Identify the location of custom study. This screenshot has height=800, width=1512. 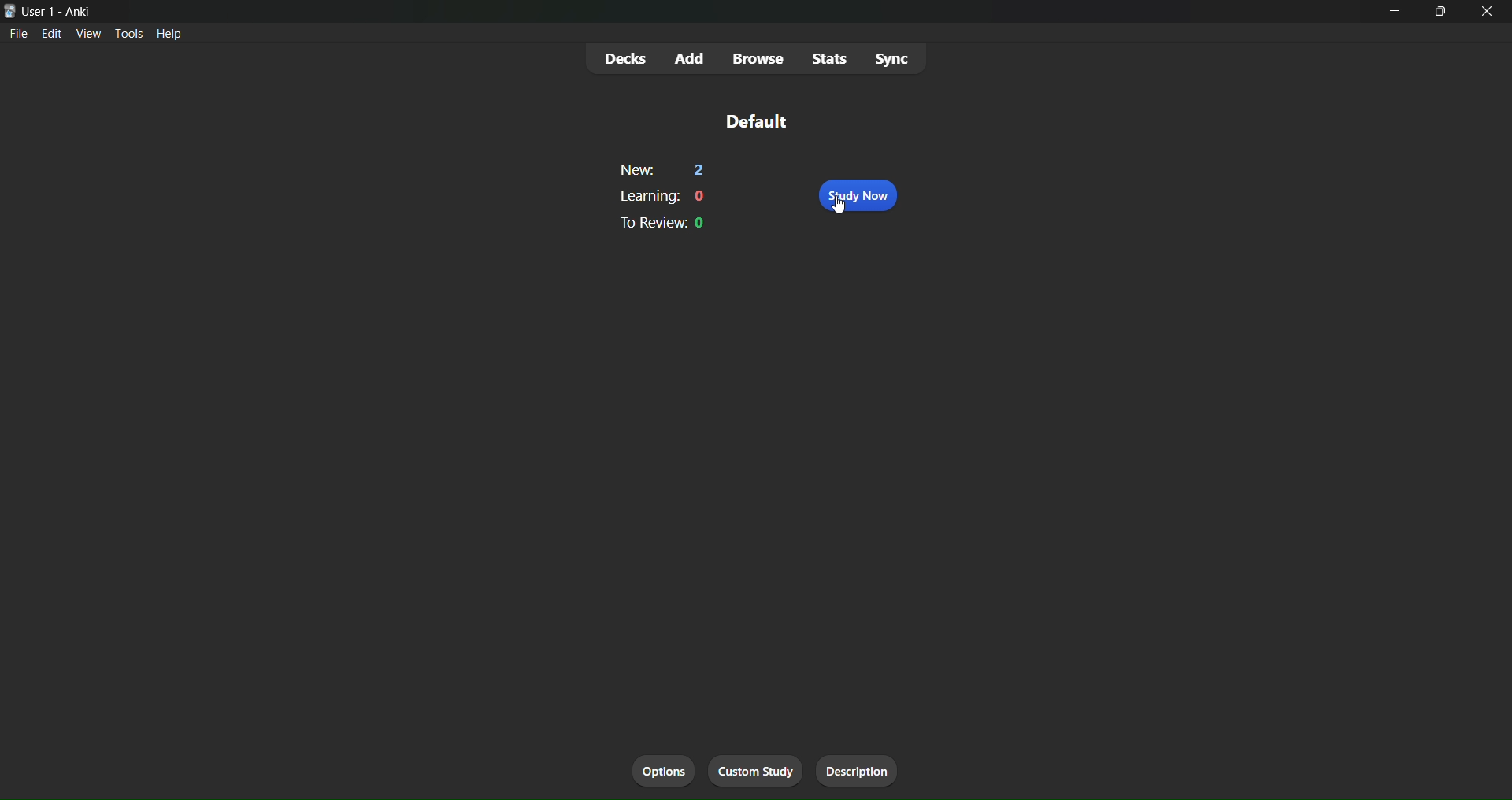
(755, 768).